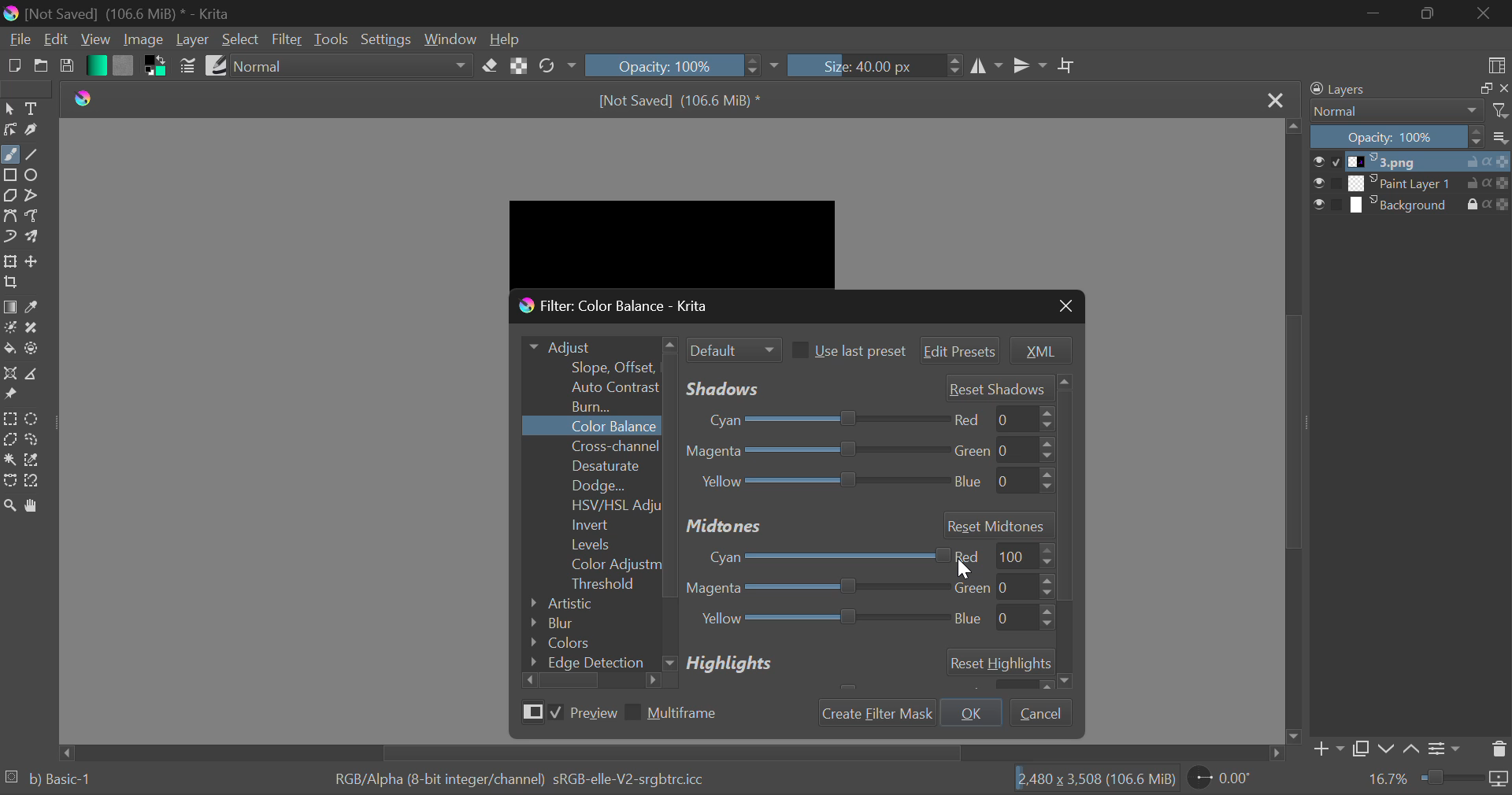 This screenshot has width=1512, height=795. Describe the element at coordinates (70, 66) in the screenshot. I see `Save` at that location.